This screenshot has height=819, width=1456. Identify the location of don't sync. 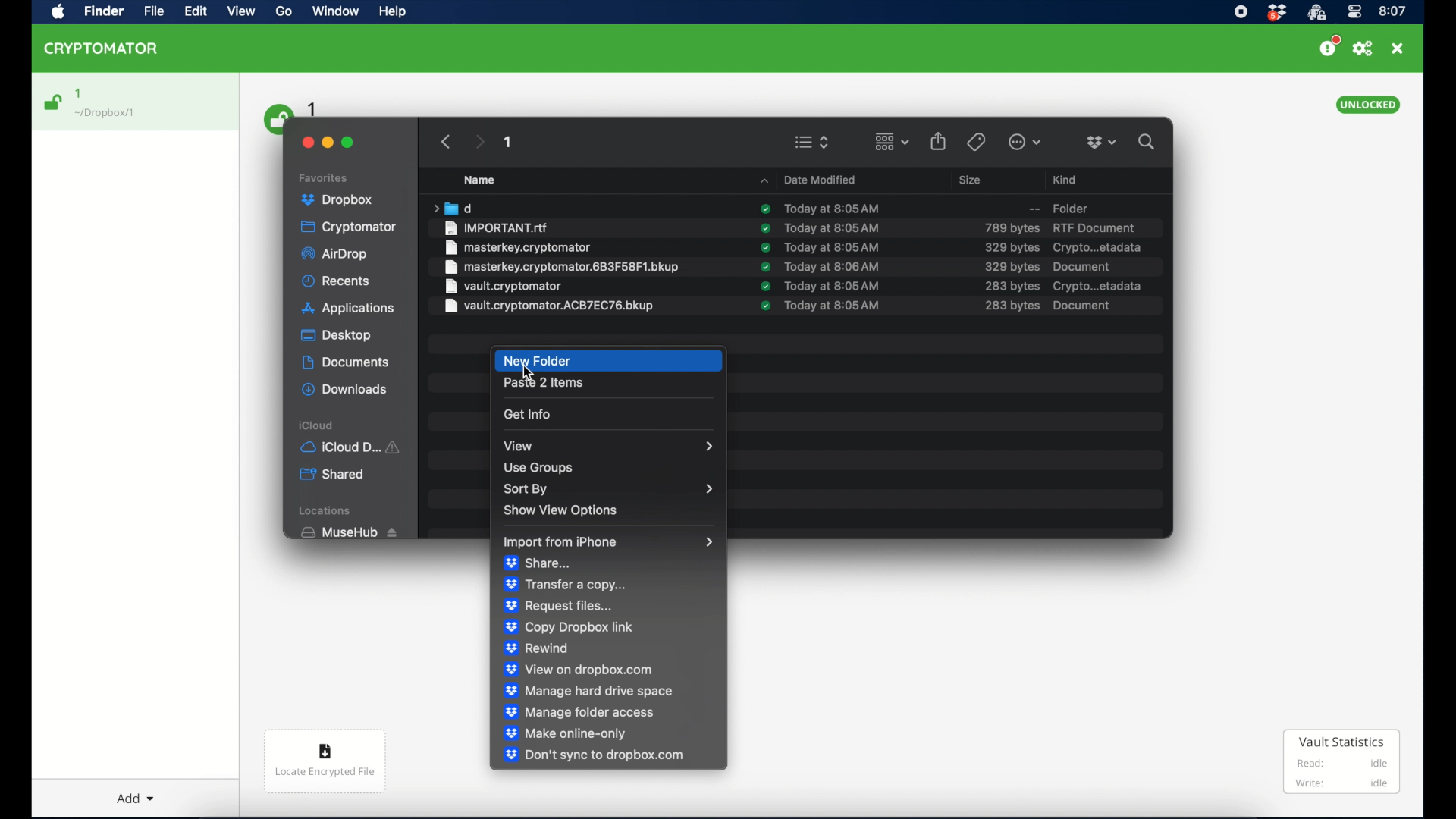
(593, 756).